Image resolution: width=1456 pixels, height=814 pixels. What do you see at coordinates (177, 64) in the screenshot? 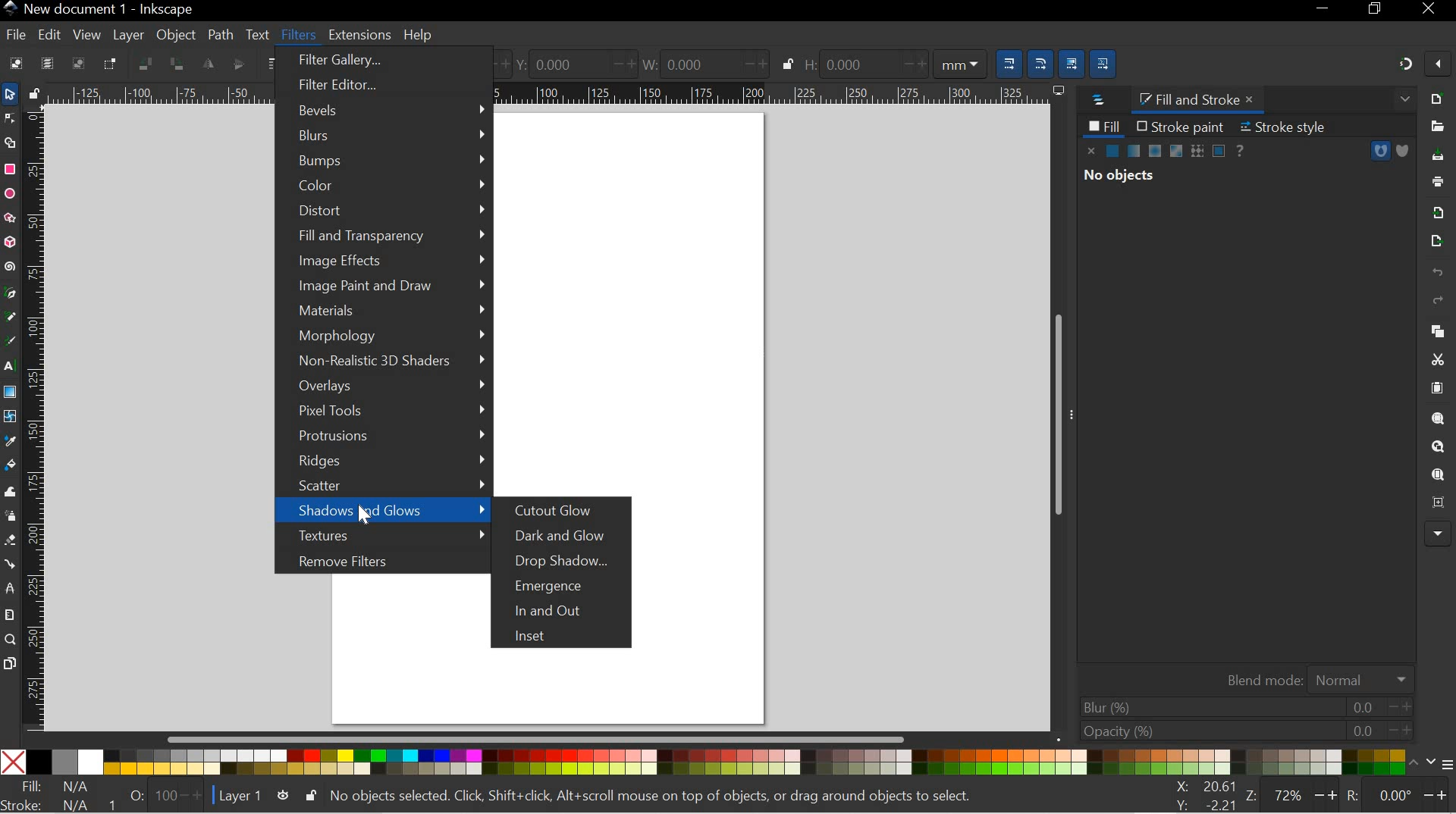
I see `OBJECT ROTATE 90` at bounding box center [177, 64].